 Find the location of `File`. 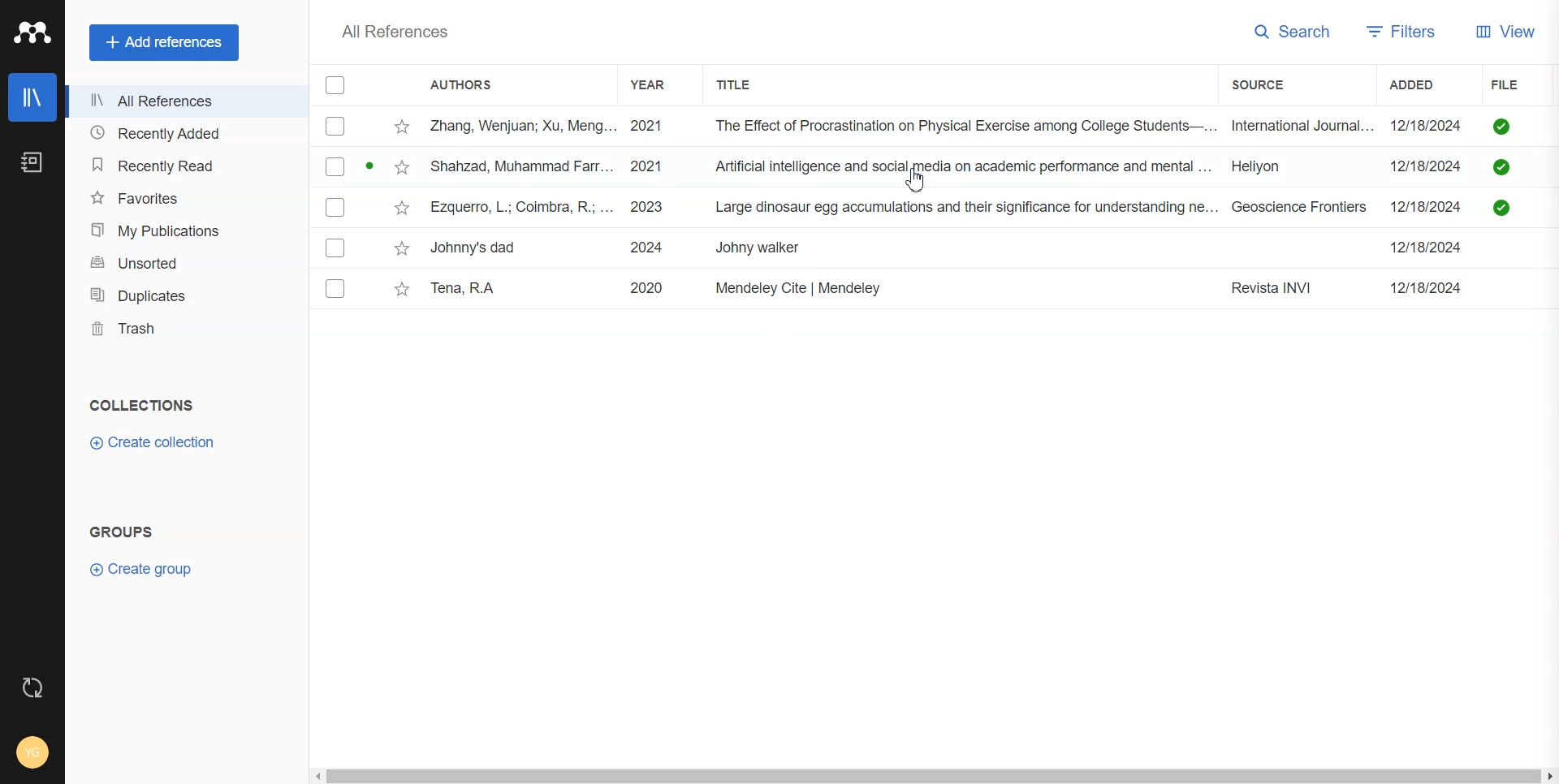

File is located at coordinates (935, 167).